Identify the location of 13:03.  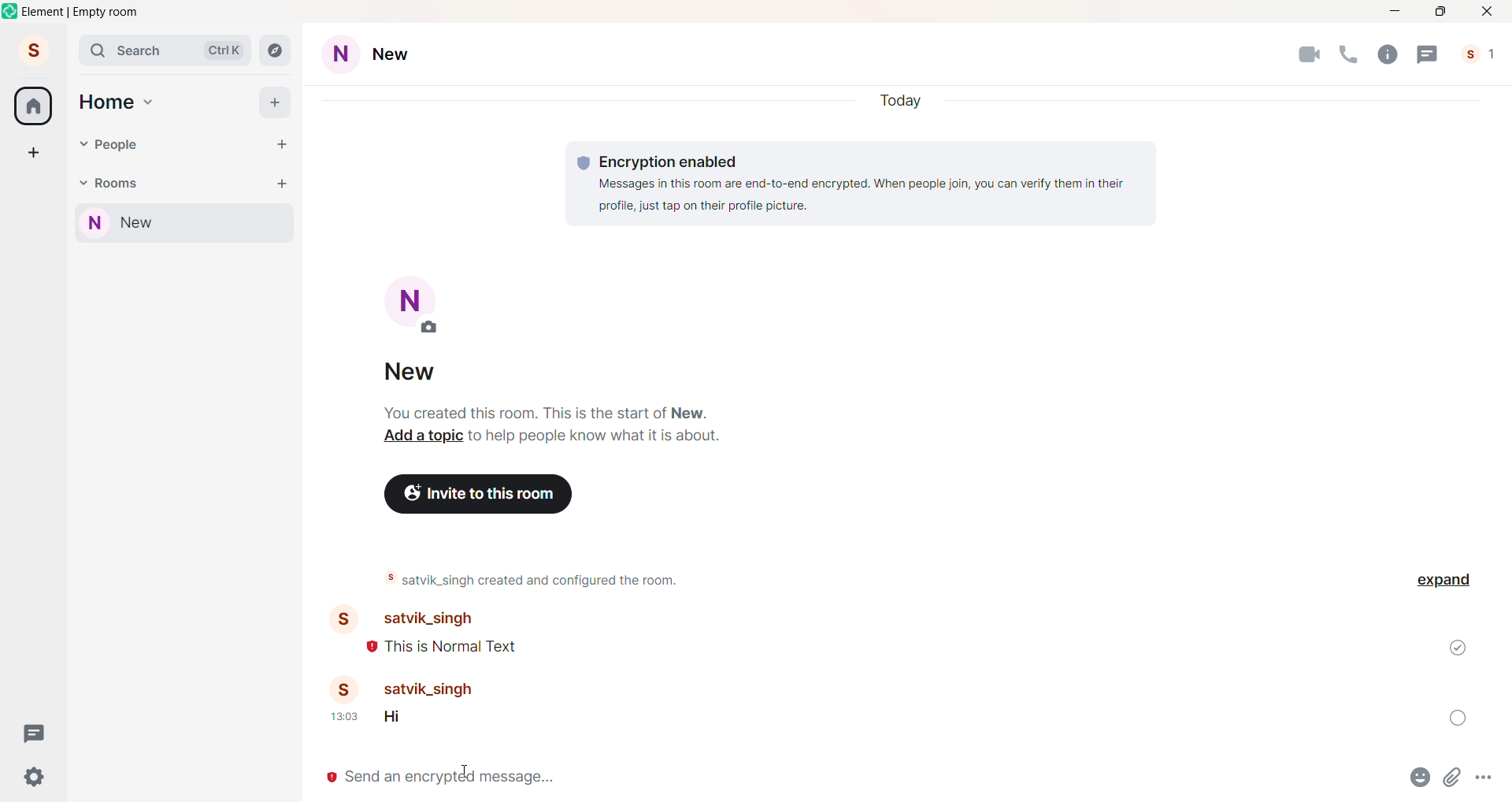
(343, 716).